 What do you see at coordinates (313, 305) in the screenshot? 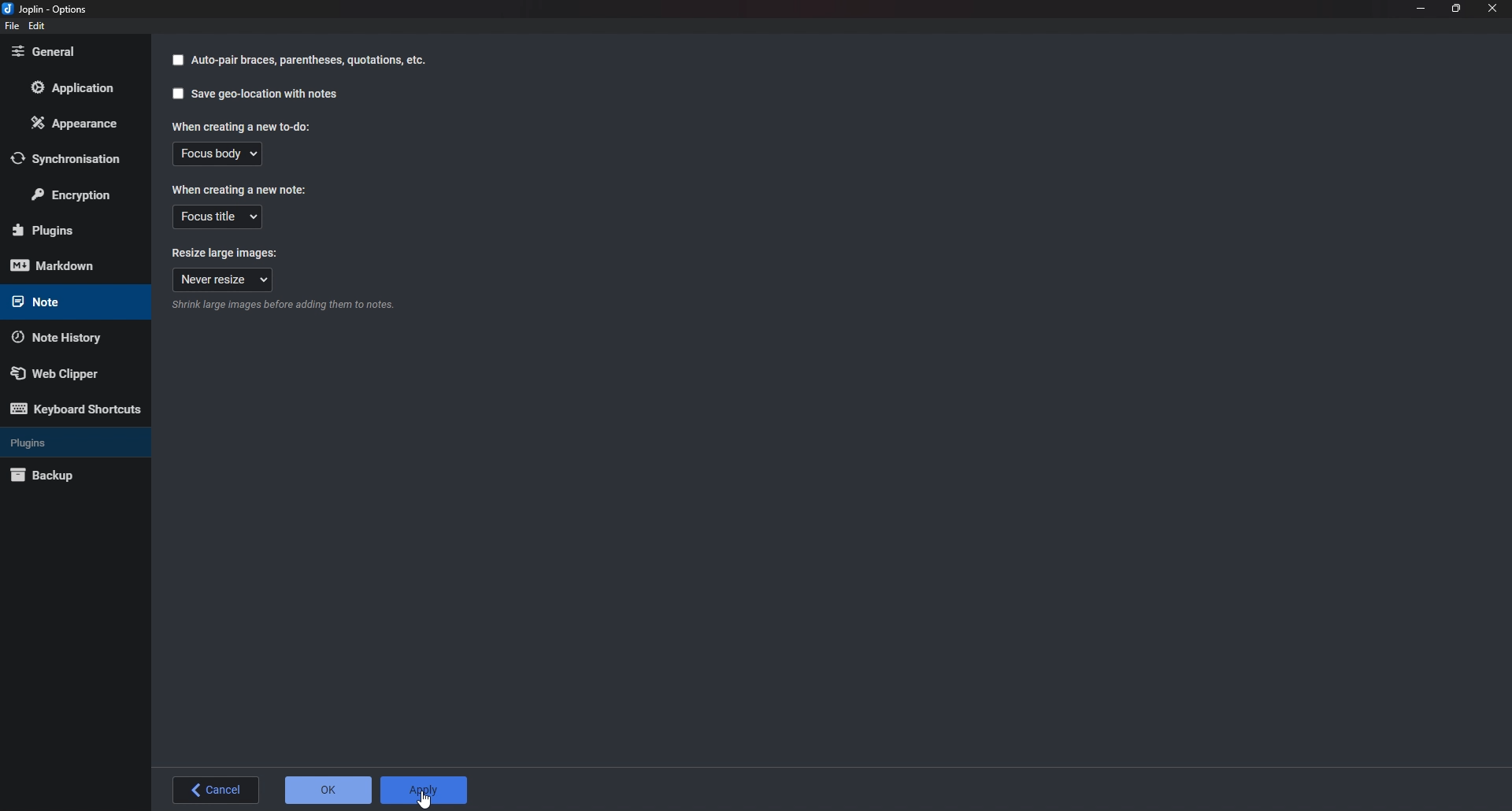
I see `info` at bounding box center [313, 305].